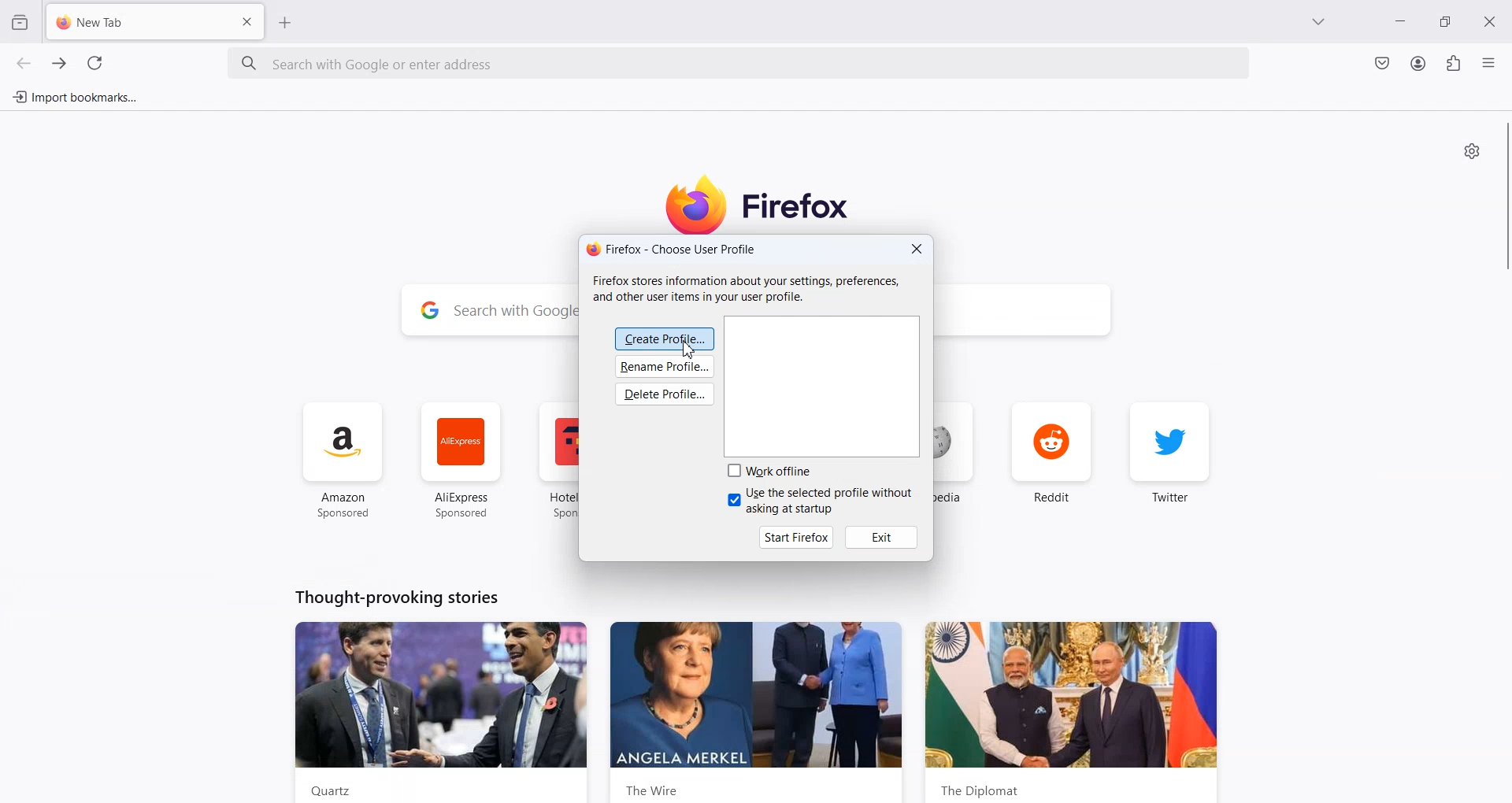  Describe the element at coordinates (1319, 23) in the screenshot. I see `List all tab` at that location.